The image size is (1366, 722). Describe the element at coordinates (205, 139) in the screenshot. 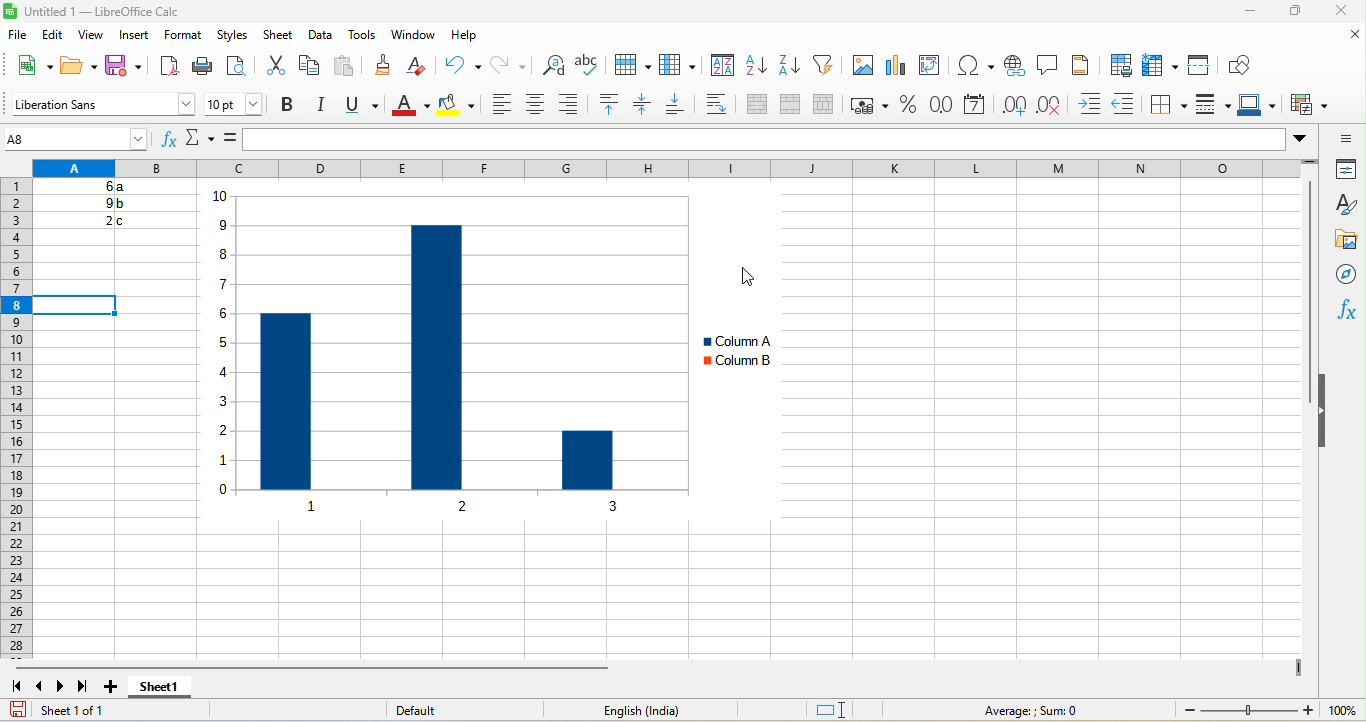

I see `name box` at that location.